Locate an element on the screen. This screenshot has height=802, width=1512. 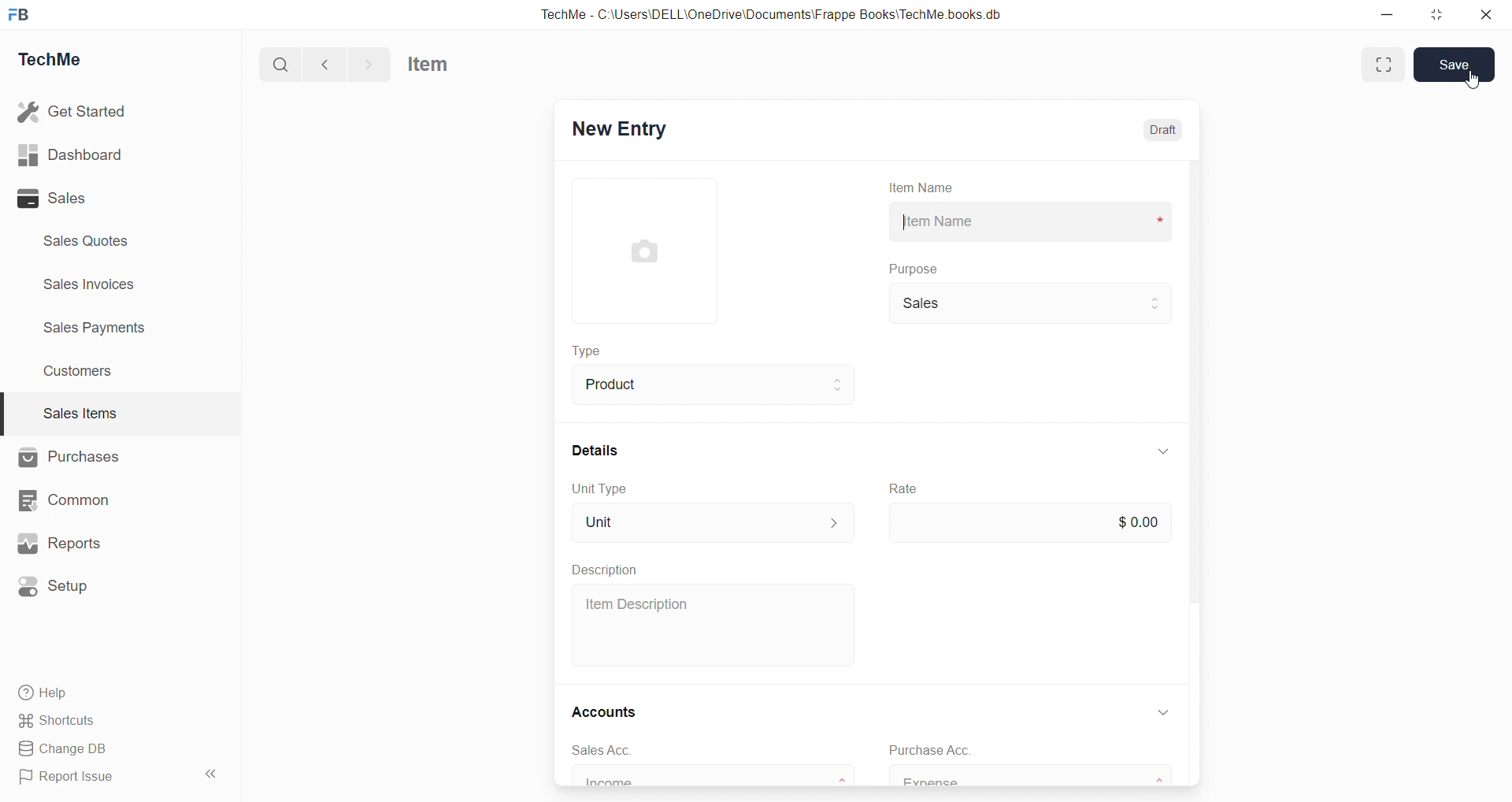
sales Acc is located at coordinates (600, 751).